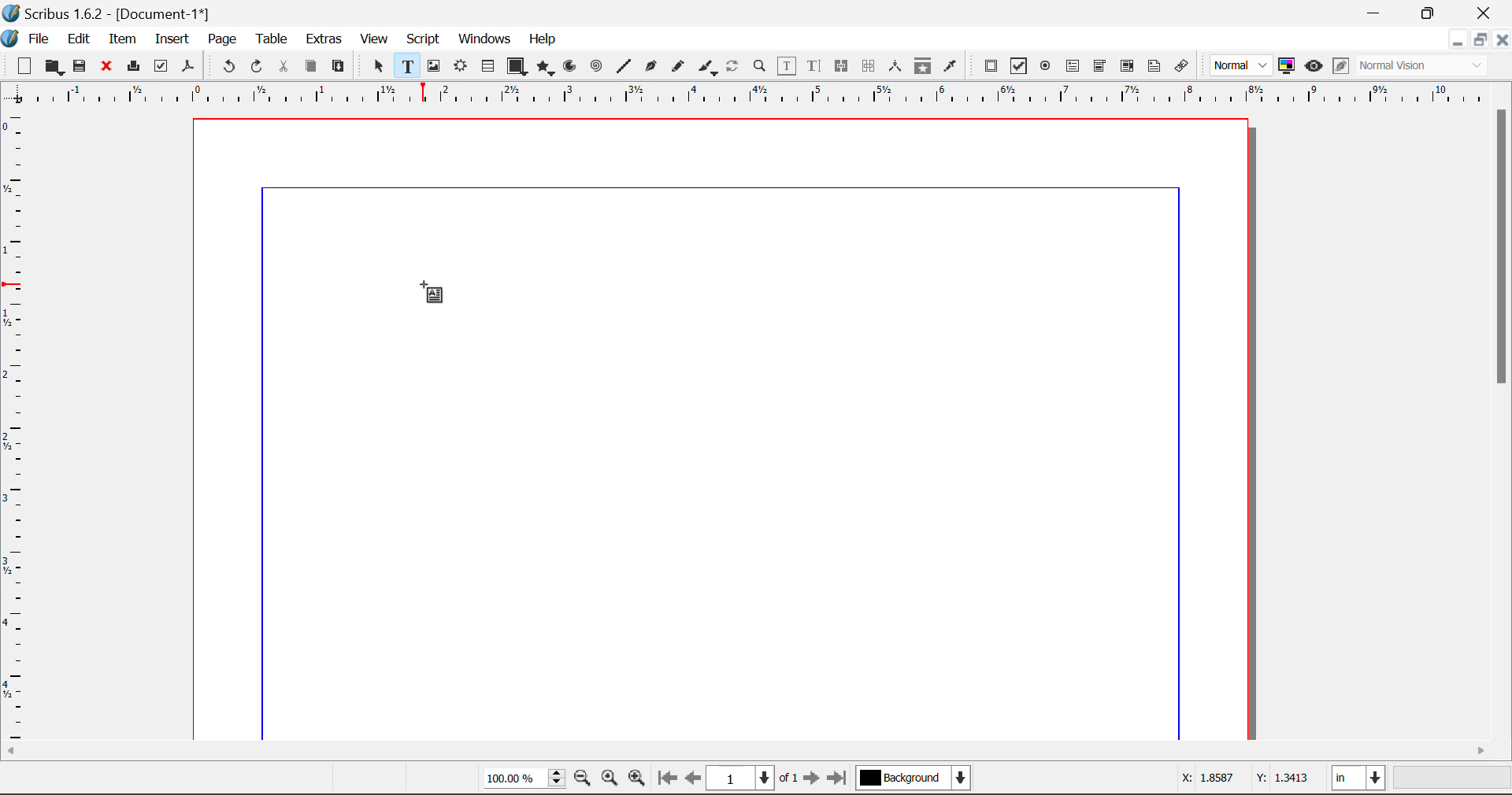 The width and height of the screenshot is (1512, 795). I want to click on Previous Page, so click(695, 781).